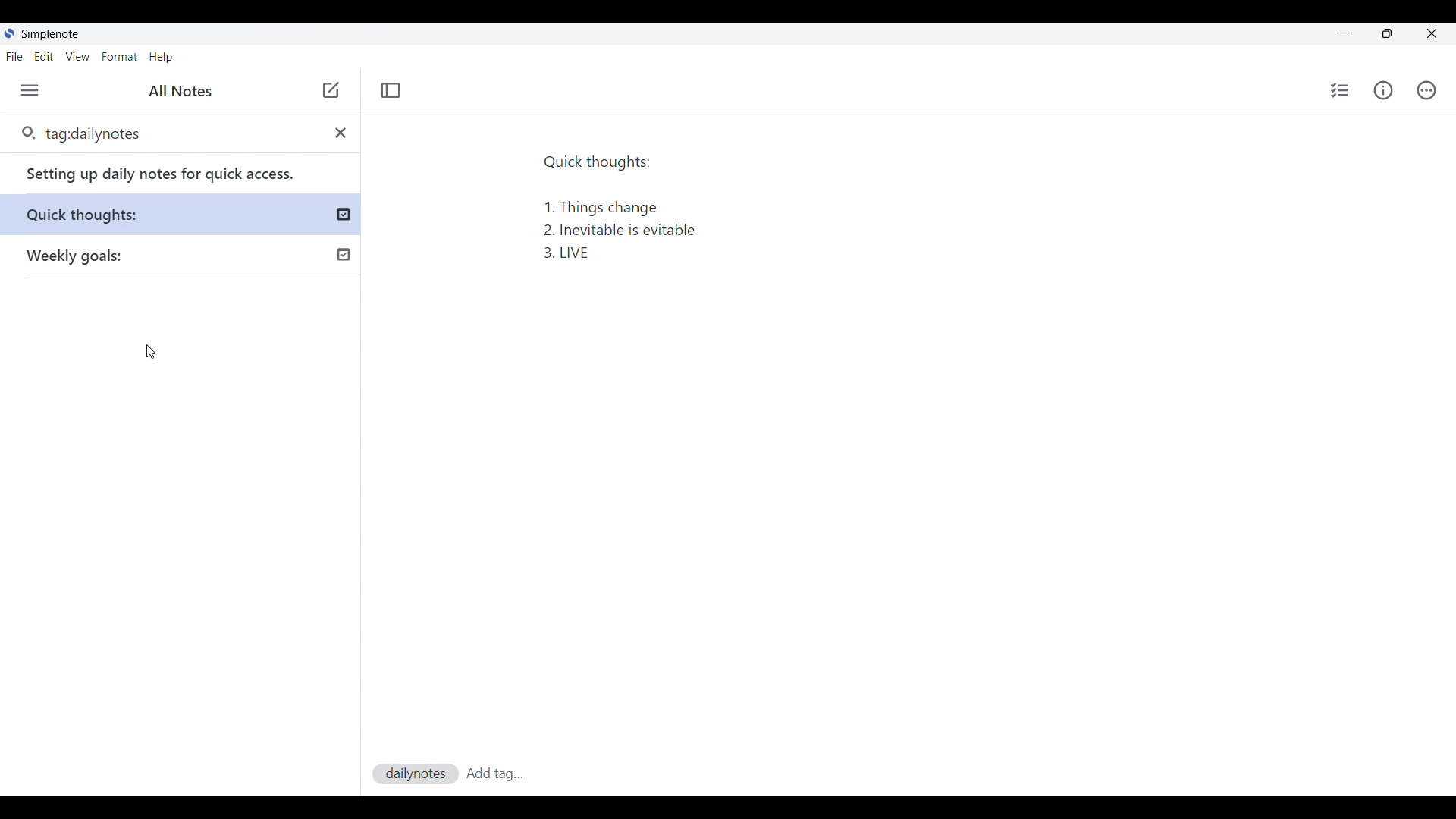 The image size is (1456, 819). What do you see at coordinates (150, 352) in the screenshot?
I see `Cursor` at bounding box center [150, 352].